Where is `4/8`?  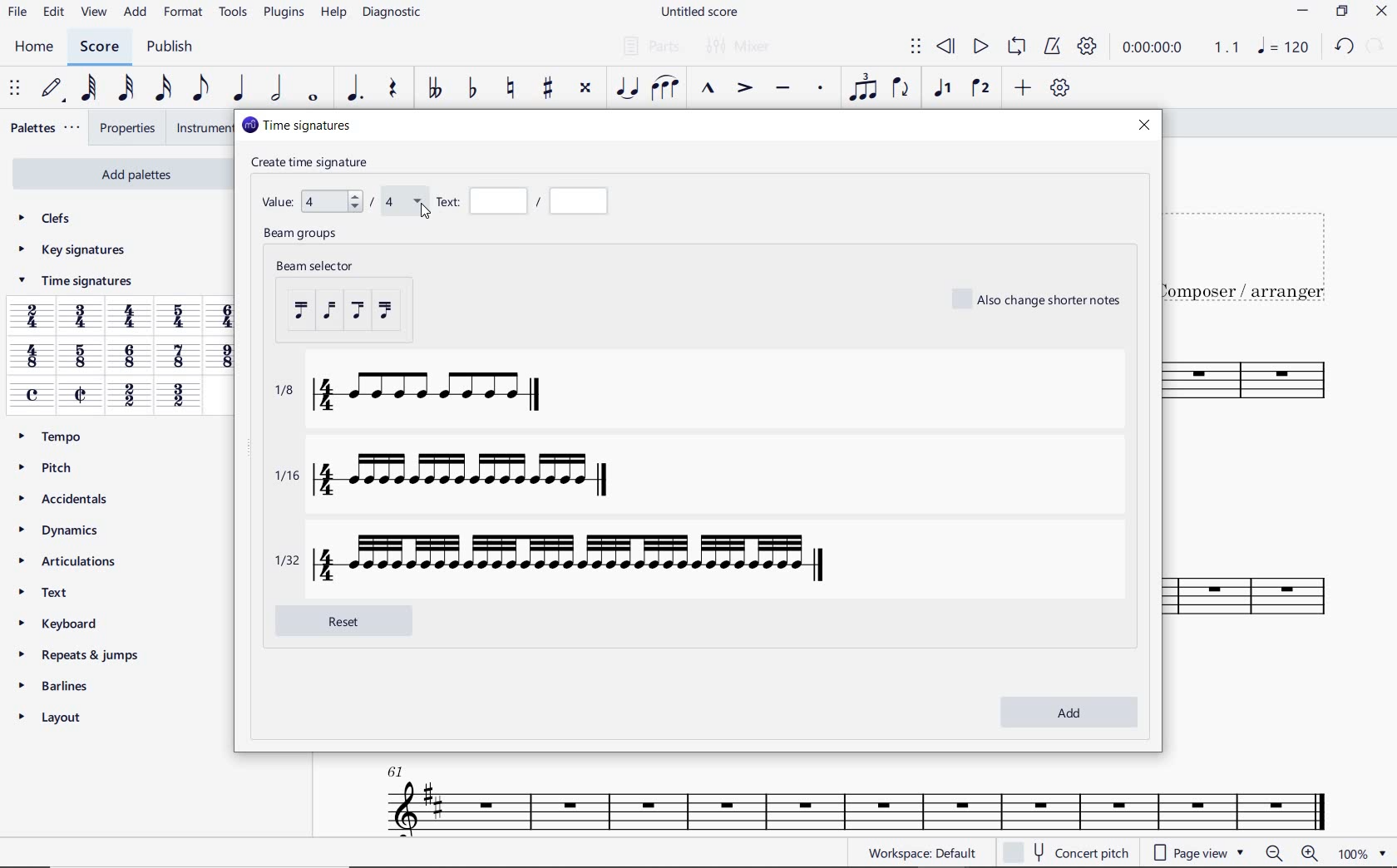 4/8 is located at coordinates (32, 358).